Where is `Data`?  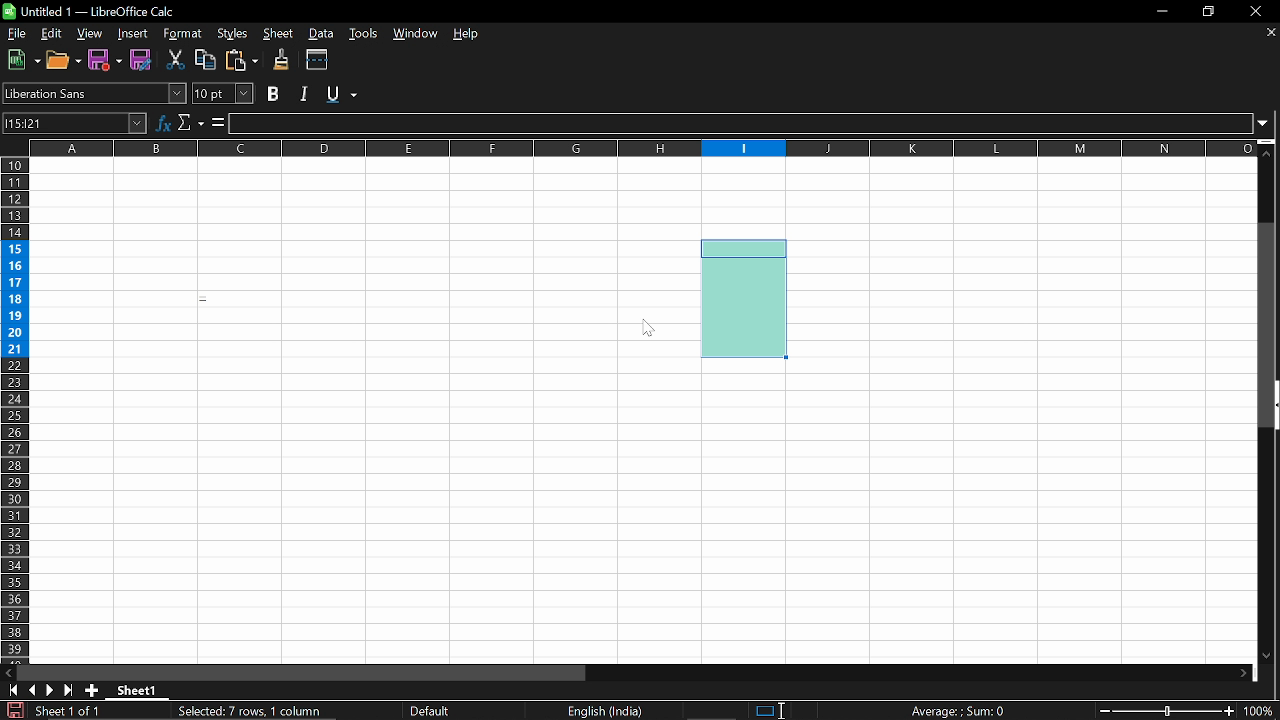
Data is located at coordinates (323, 34).